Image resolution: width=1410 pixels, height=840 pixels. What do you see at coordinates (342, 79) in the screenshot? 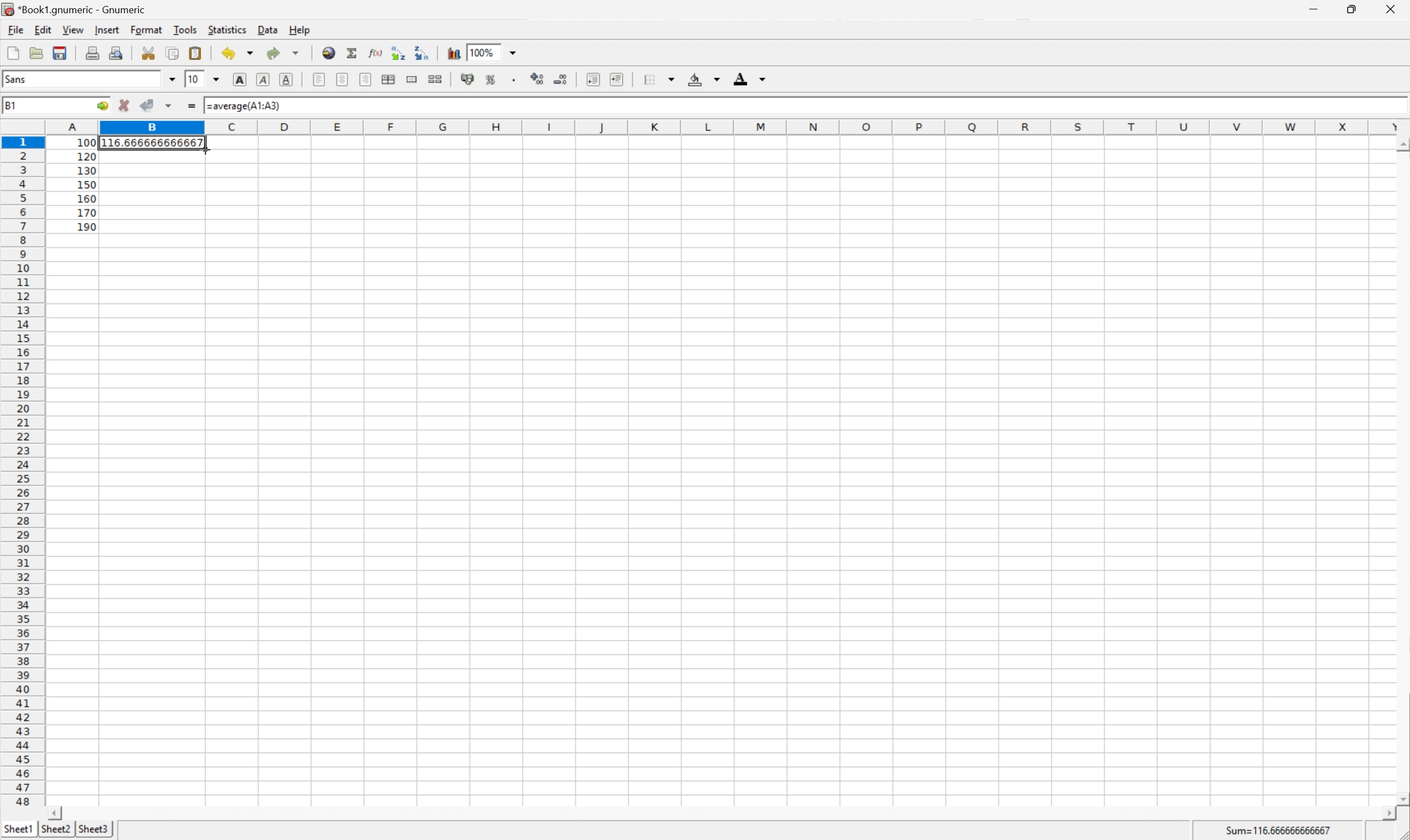
I see `Center horizontally` at bounding box center [342, 79].